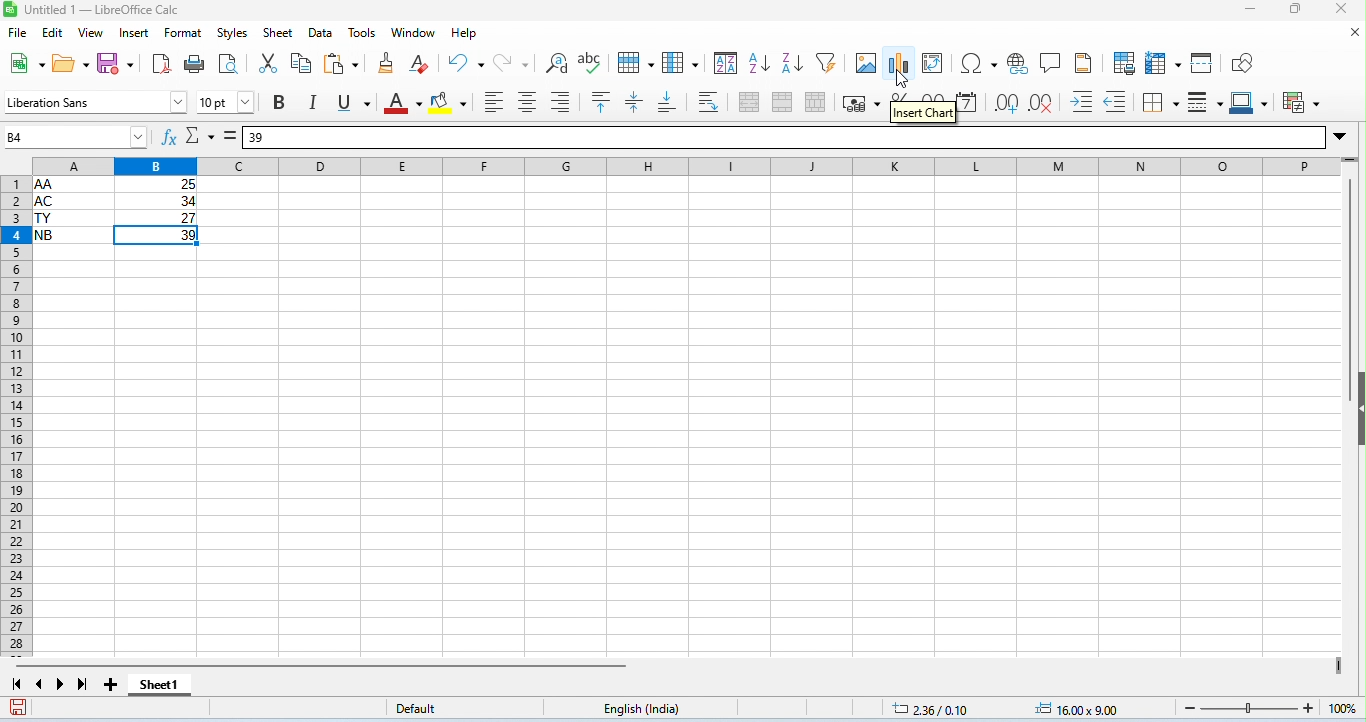 The image size is (1366, 722). Describe the element at coordinates (935, 63) in the screenshot. I see `pivot chart` at that location.